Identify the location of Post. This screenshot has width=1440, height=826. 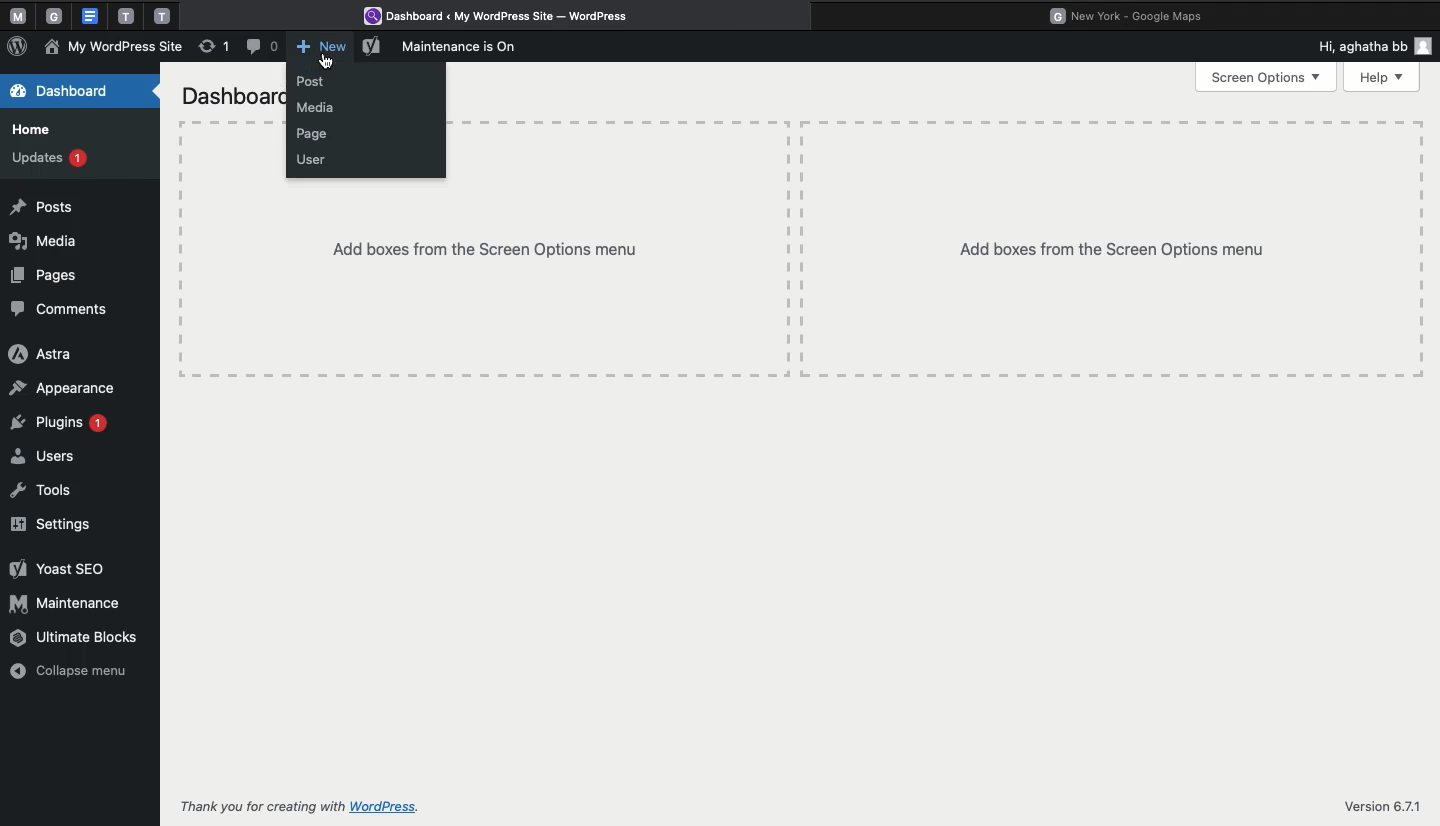
(318, 82).